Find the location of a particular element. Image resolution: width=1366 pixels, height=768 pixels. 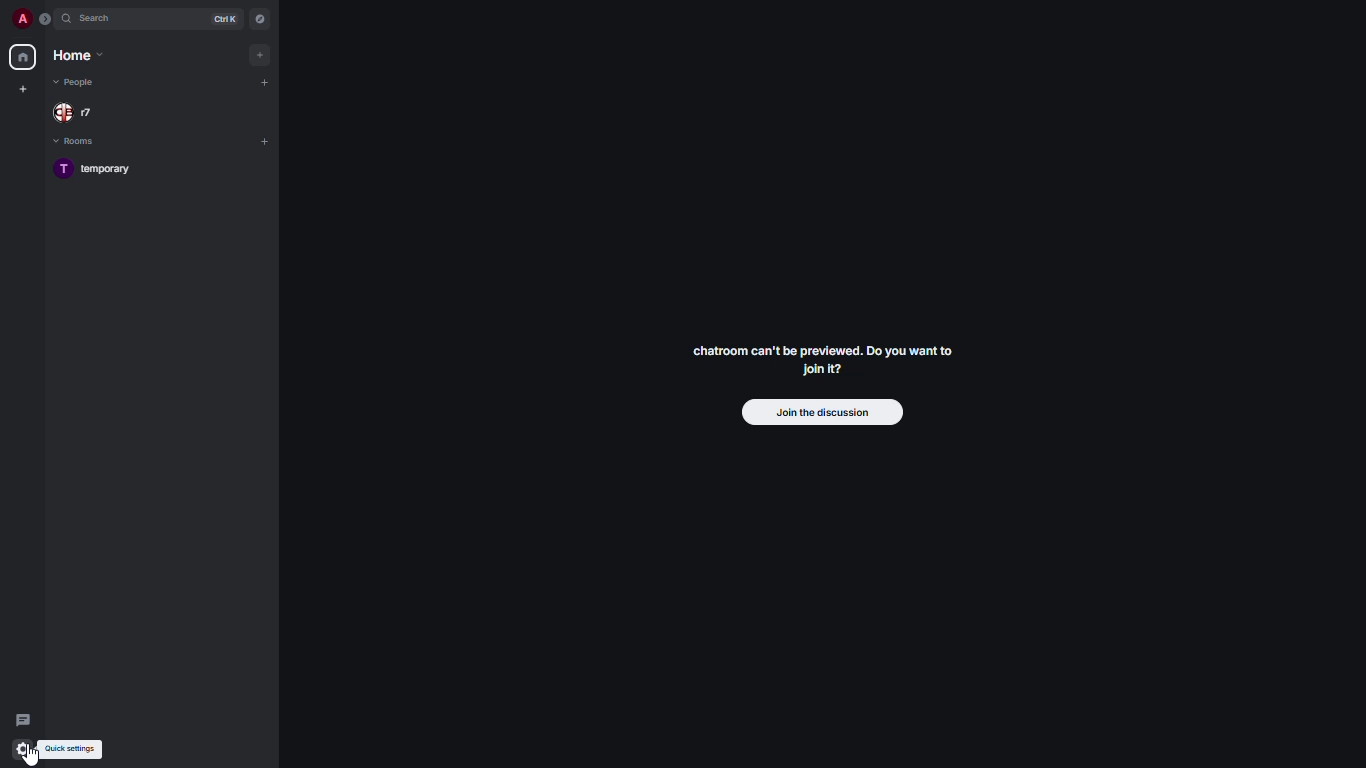

profile is located at coordinates (21, 18).